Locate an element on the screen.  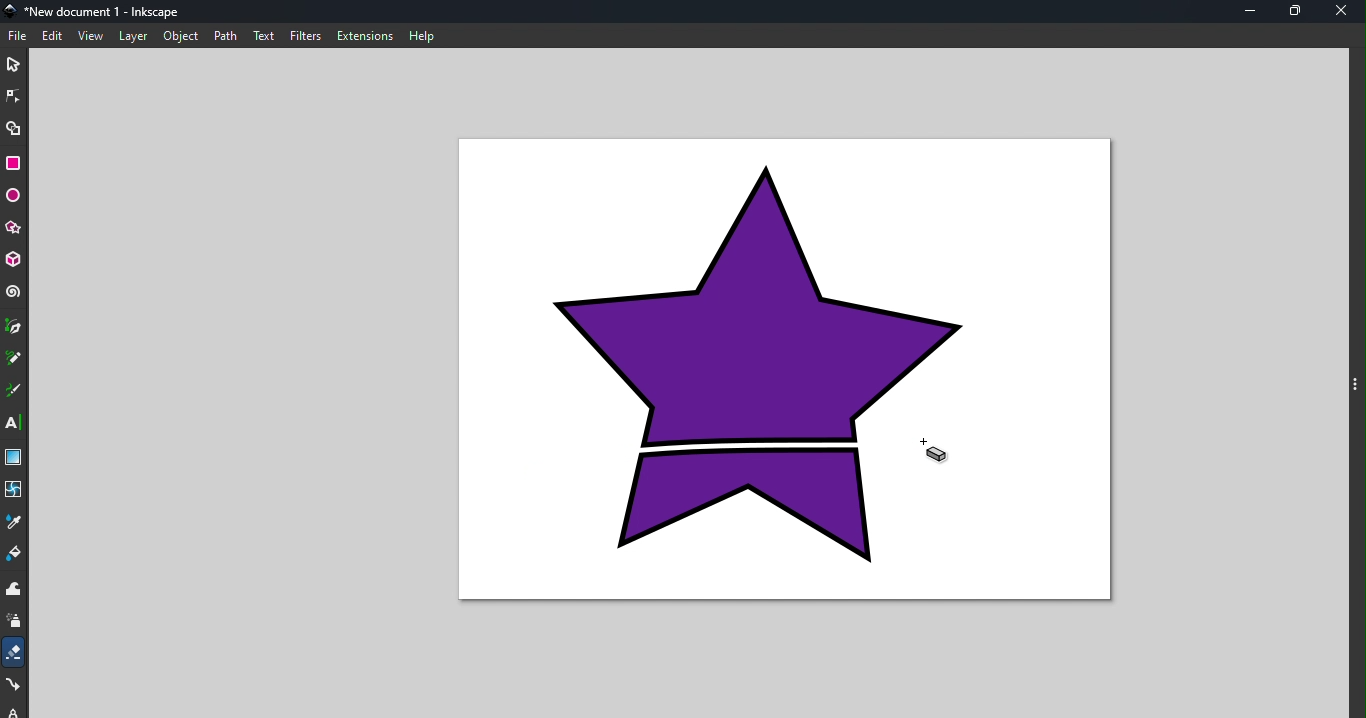
dropper tool is located at coordinates (14, 521).